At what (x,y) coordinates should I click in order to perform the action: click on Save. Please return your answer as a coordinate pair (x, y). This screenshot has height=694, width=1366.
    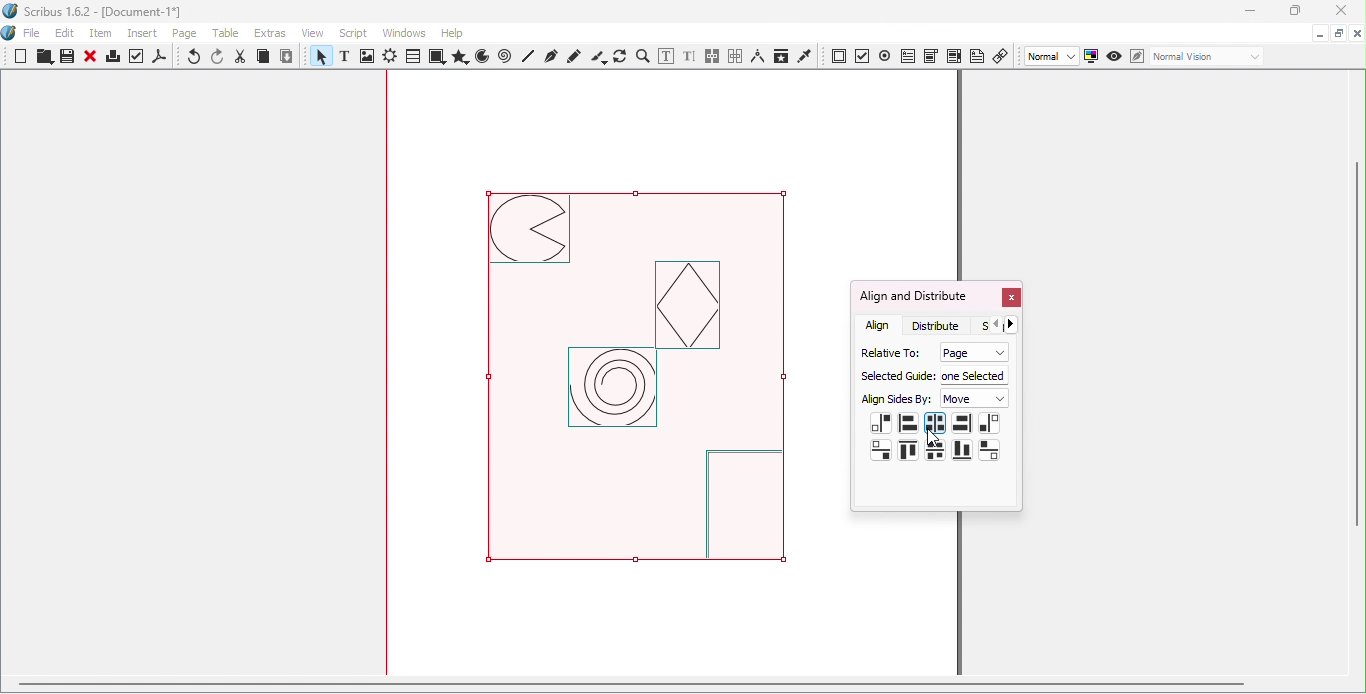
    Looking at the image, I should click on (65, 57).